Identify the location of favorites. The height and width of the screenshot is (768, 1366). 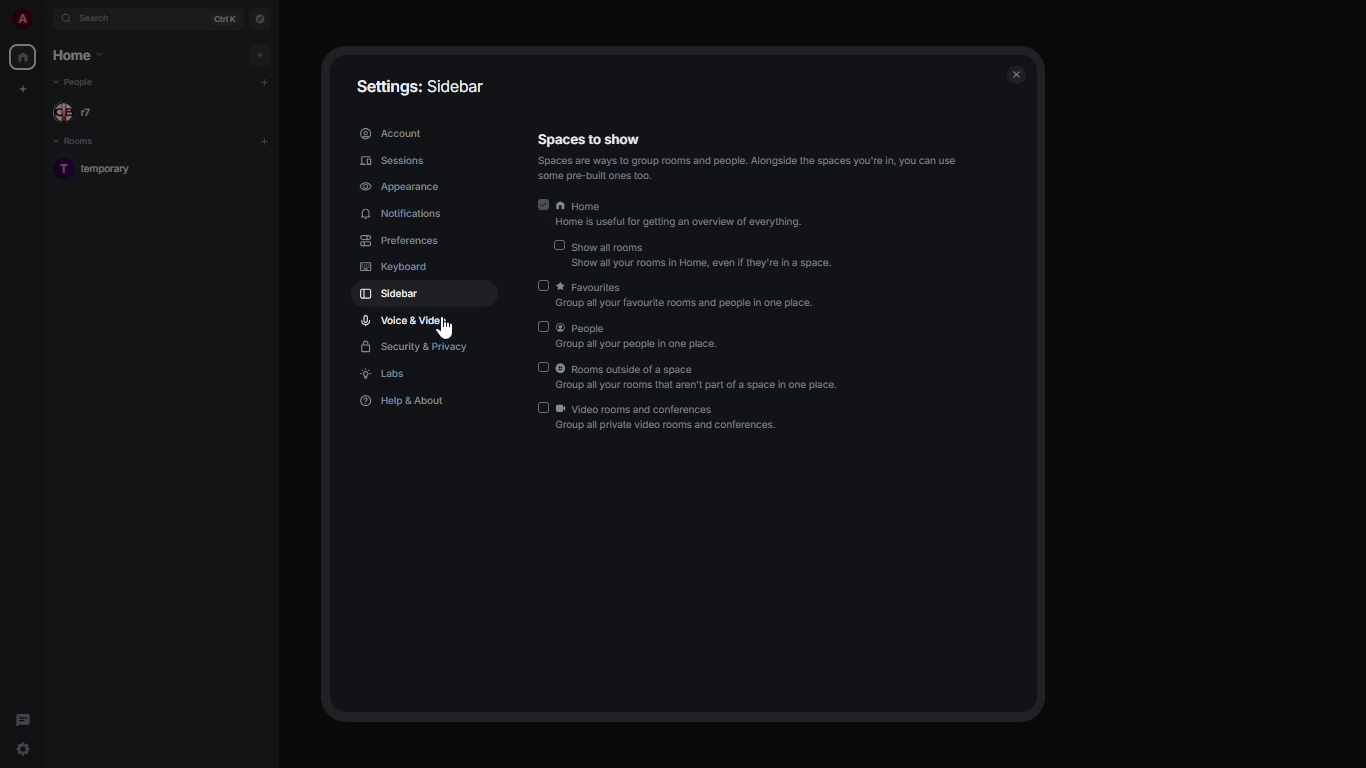
(688, 298).